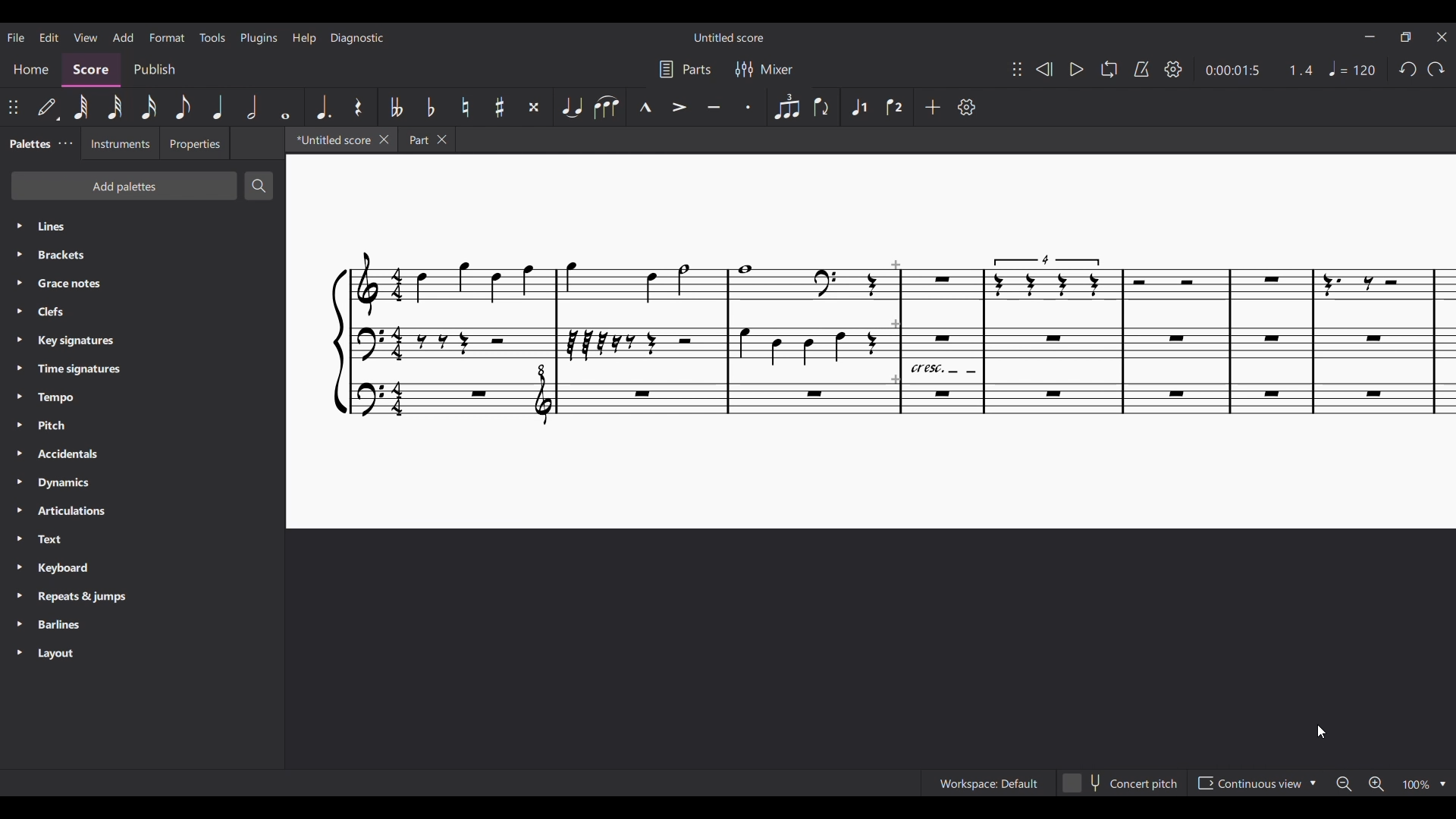 This screenshot has height=819, width=1456. I want to click on Rest, so click(359, 106).